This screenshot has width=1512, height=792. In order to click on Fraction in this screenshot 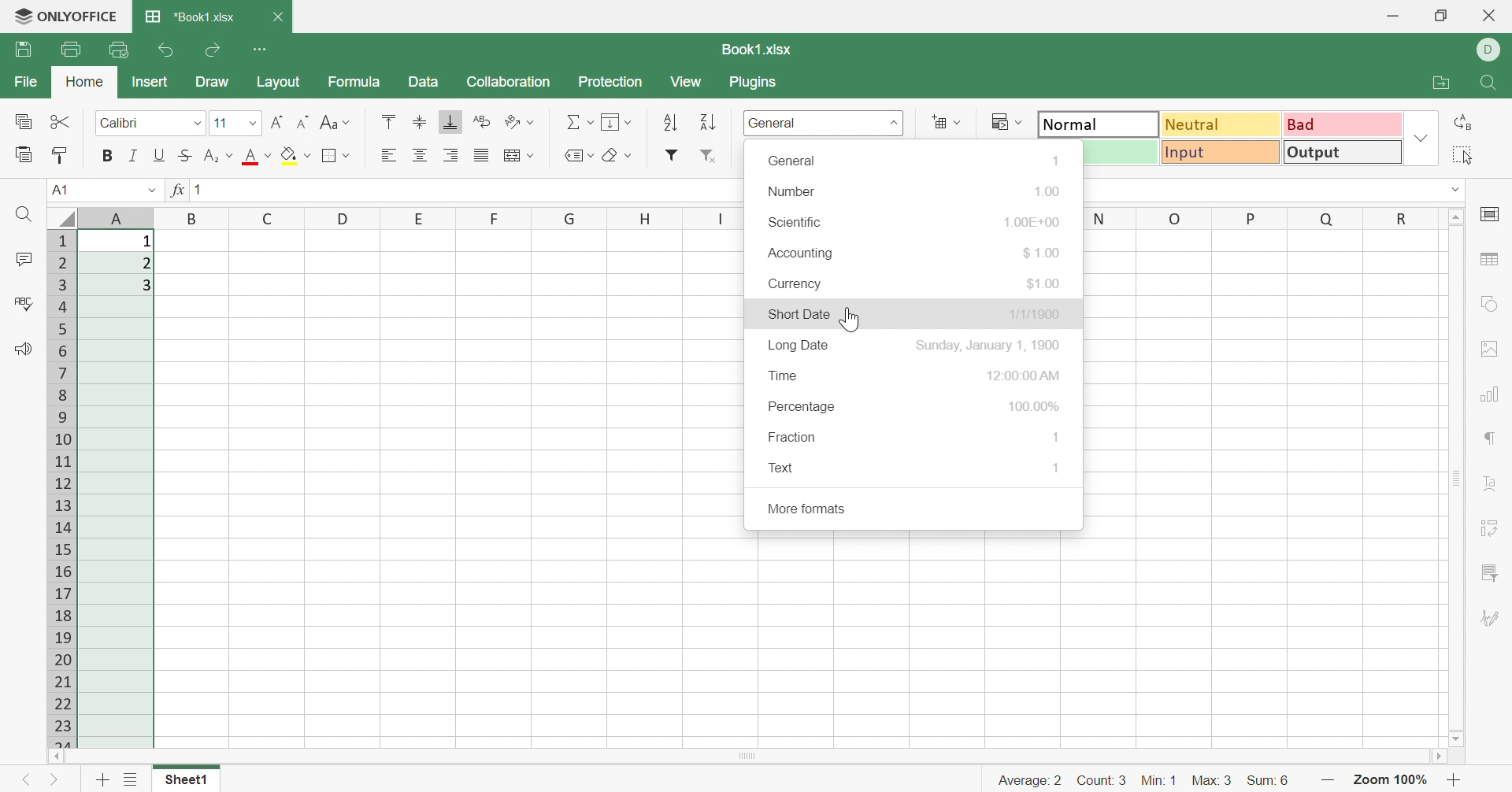, I will do `click(791, 436)`.